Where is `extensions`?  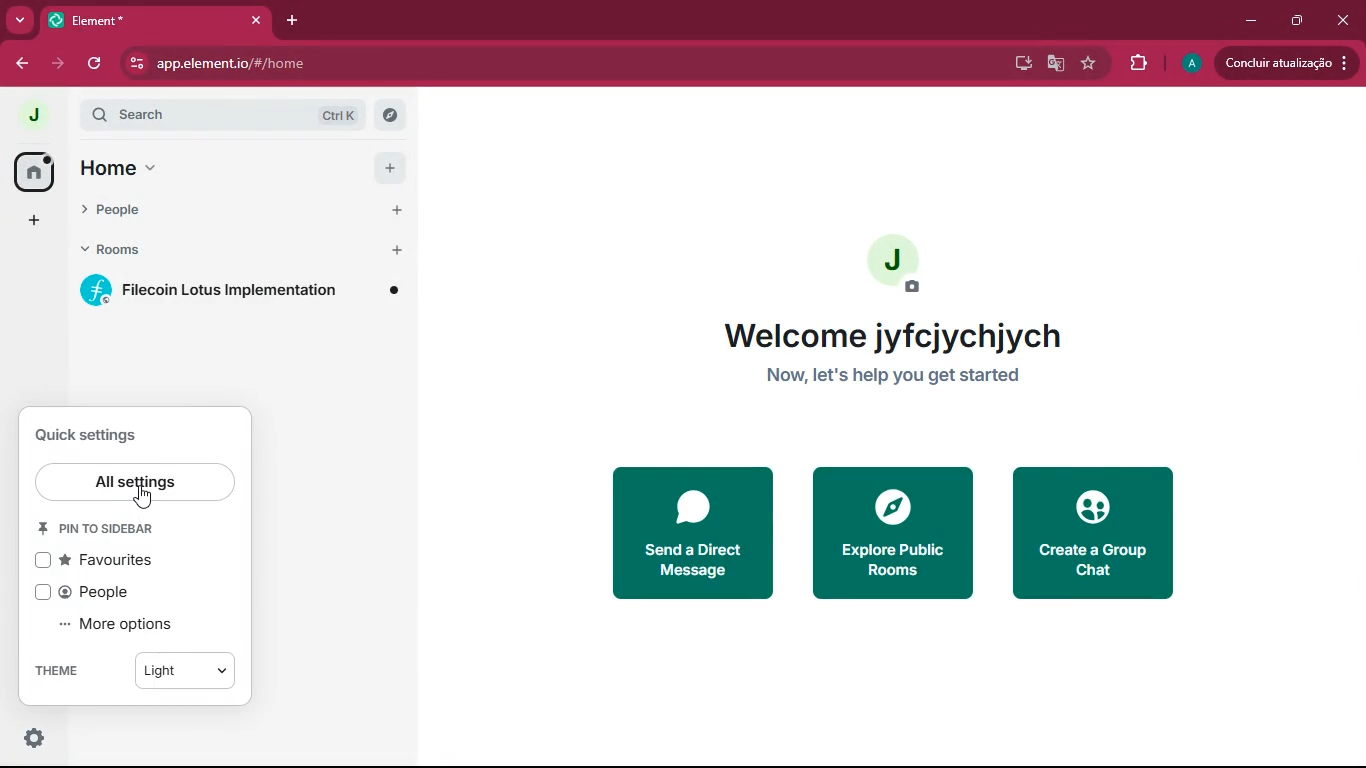
extensions is located at coordinates (1137, 63).